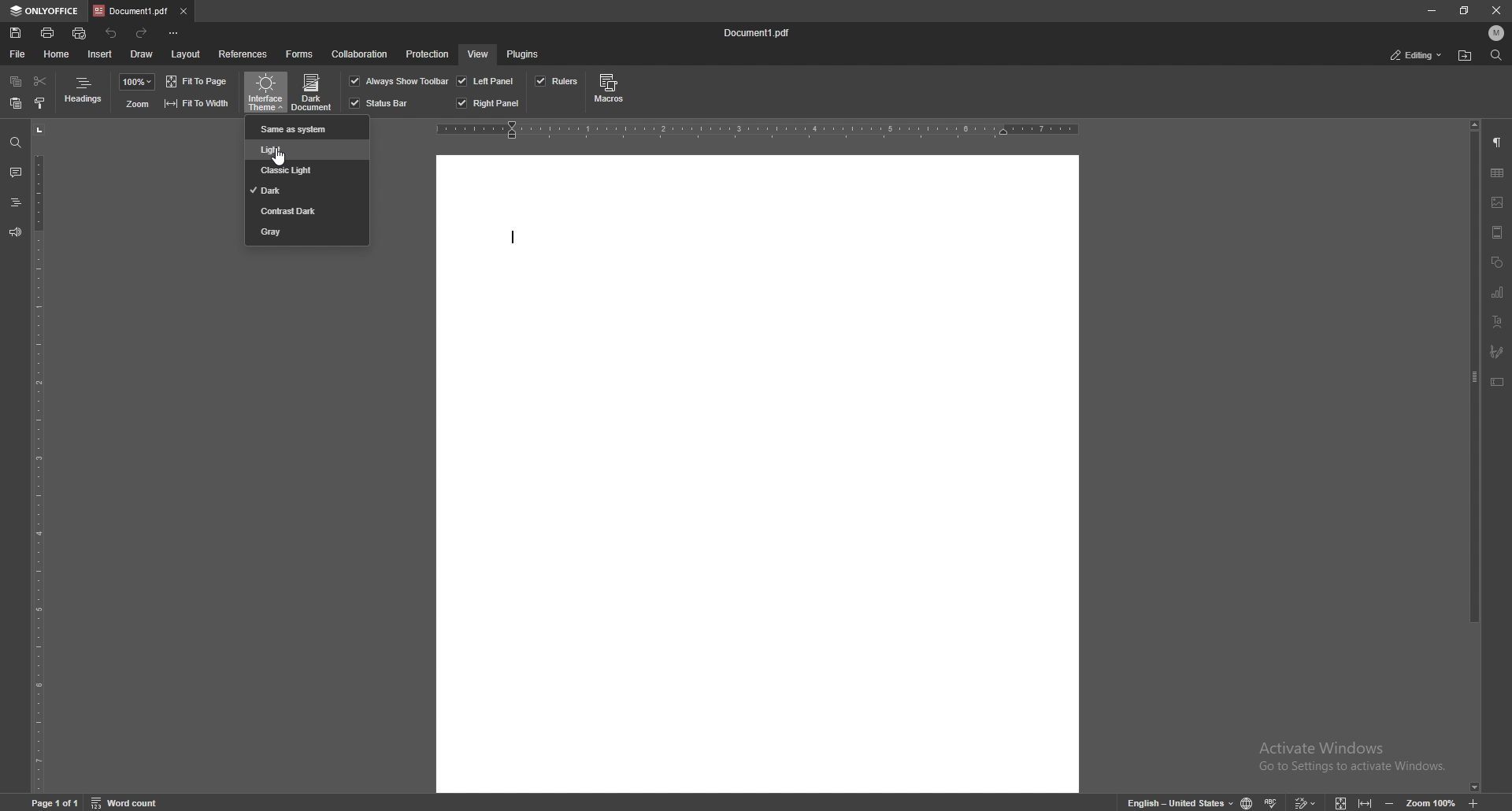 This screenshot has width=1512, height=811. I want to click on file name, so click(757, 31).